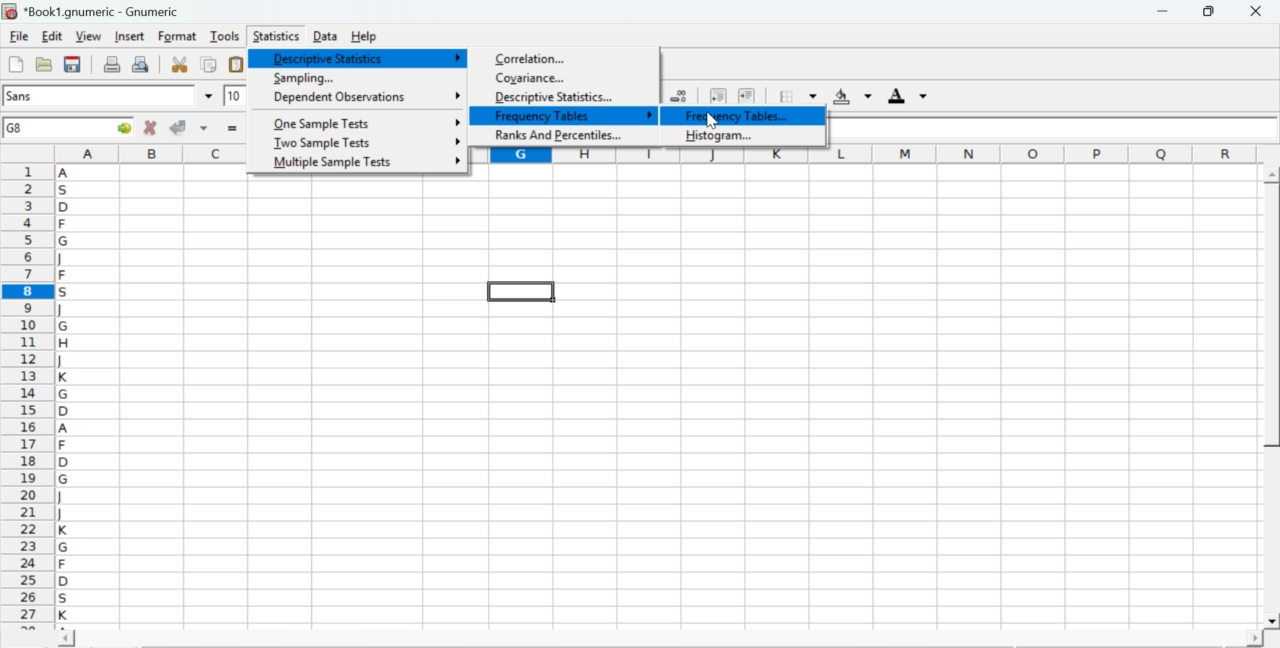  I want to click on dependent observations, so click(338, 98).